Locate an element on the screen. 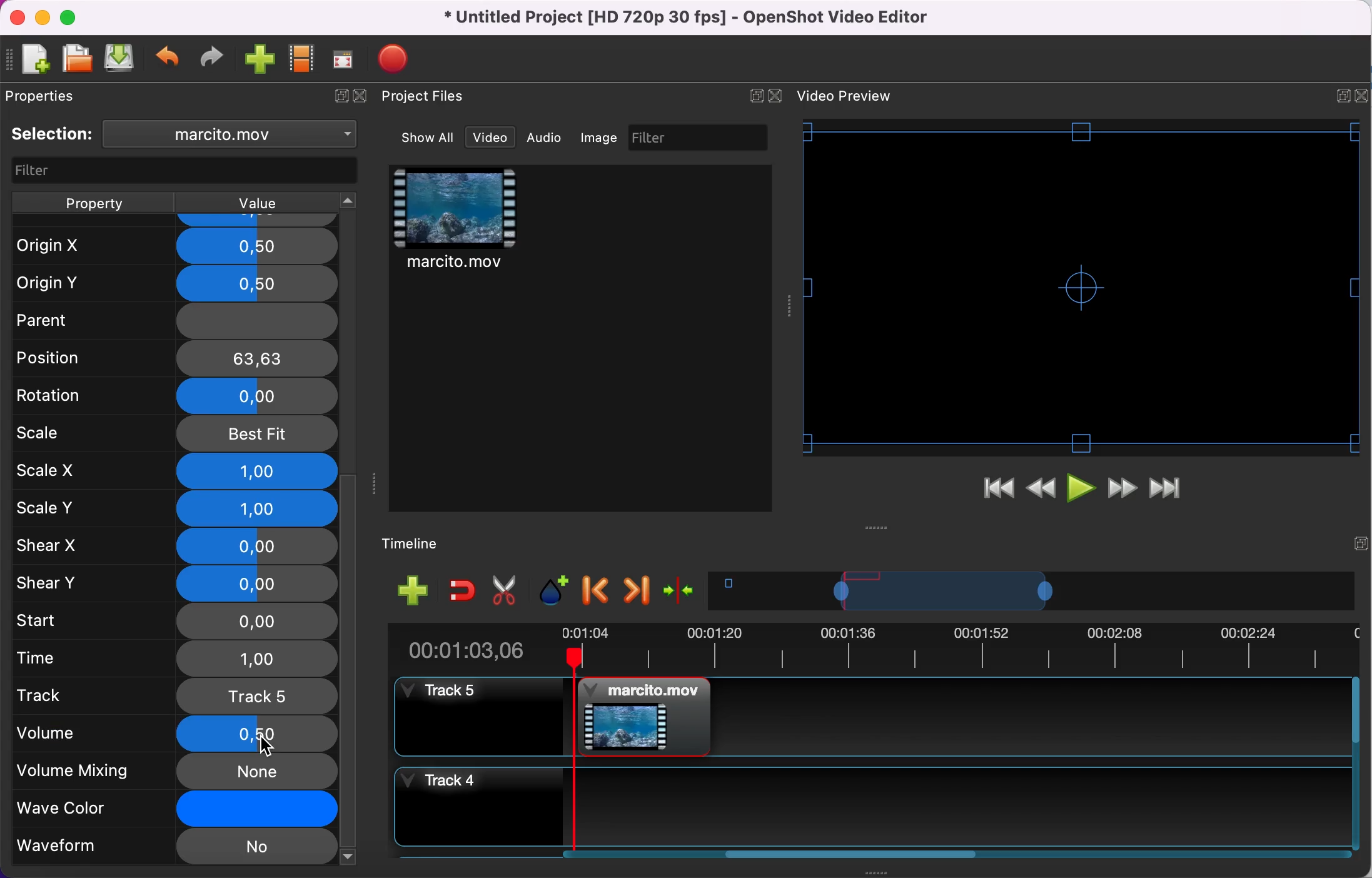 The height and width of the screenshot is (878, 1372). new file is located at coordinates (30, 61).